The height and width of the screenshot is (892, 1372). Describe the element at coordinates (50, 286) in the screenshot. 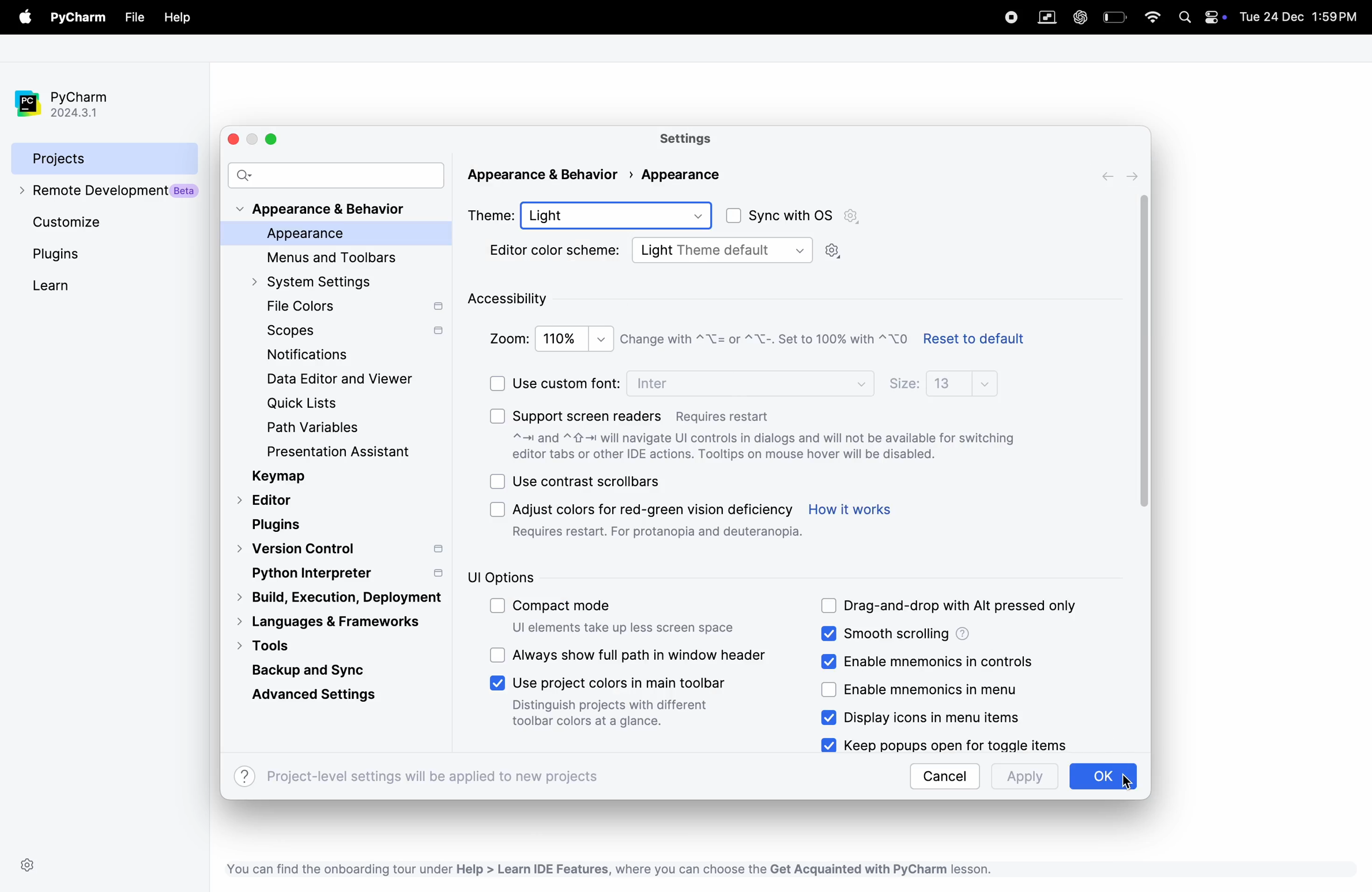

I see `learn` at that location.